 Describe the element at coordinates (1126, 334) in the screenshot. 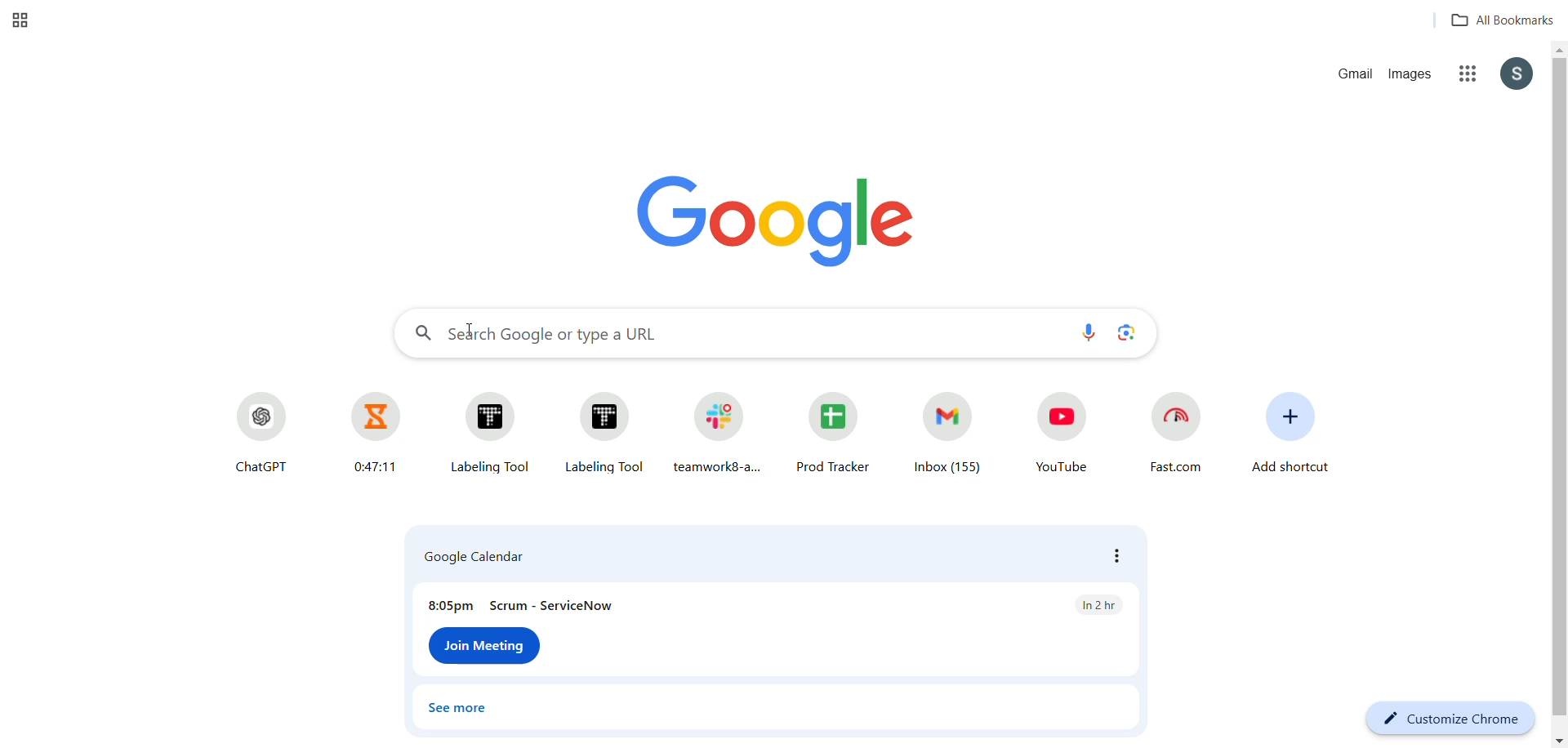

I see `lens` at that location.